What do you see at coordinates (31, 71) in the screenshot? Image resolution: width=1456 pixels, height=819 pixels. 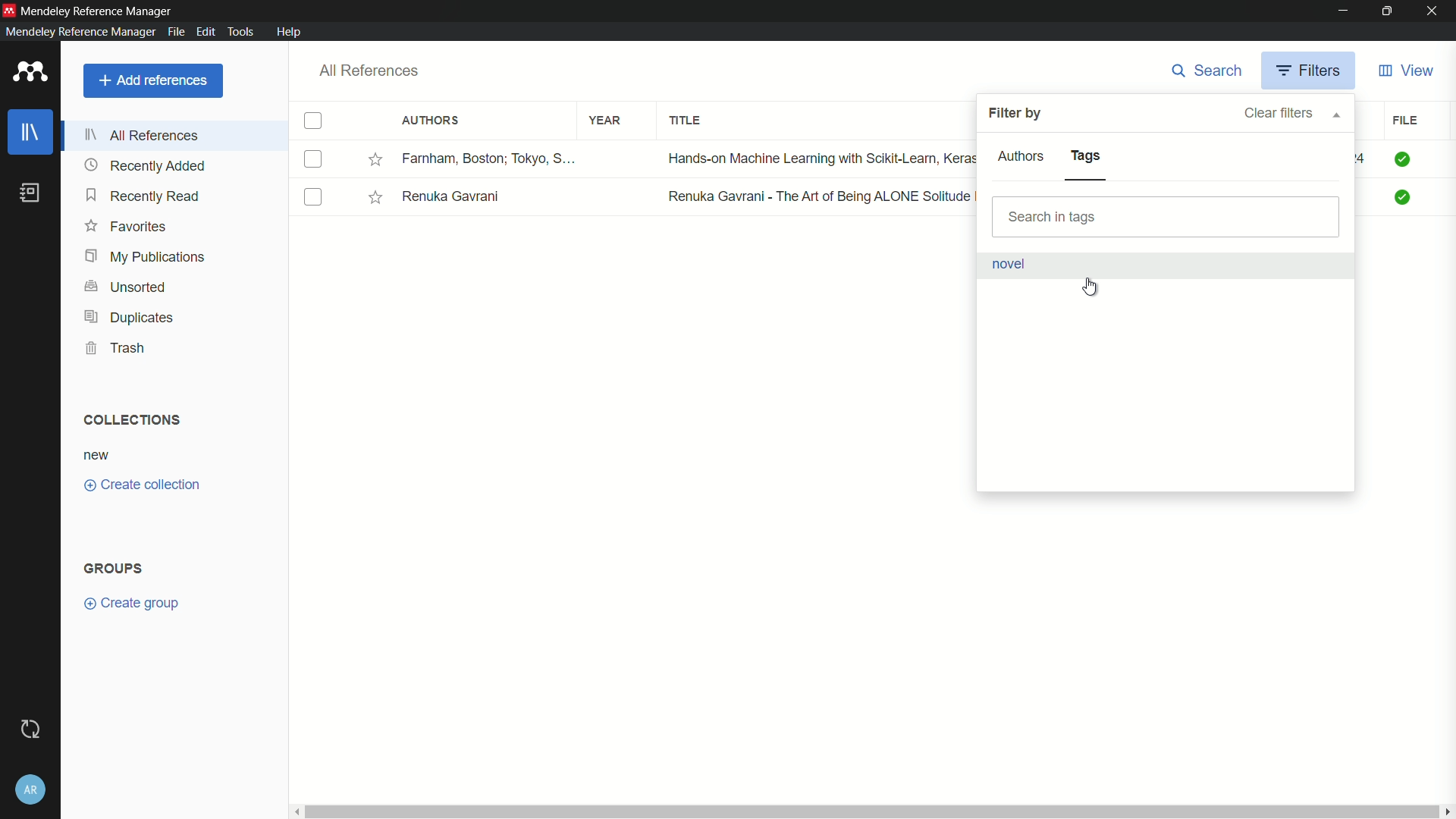 I see `app icon` at bounding box center [31, 71].